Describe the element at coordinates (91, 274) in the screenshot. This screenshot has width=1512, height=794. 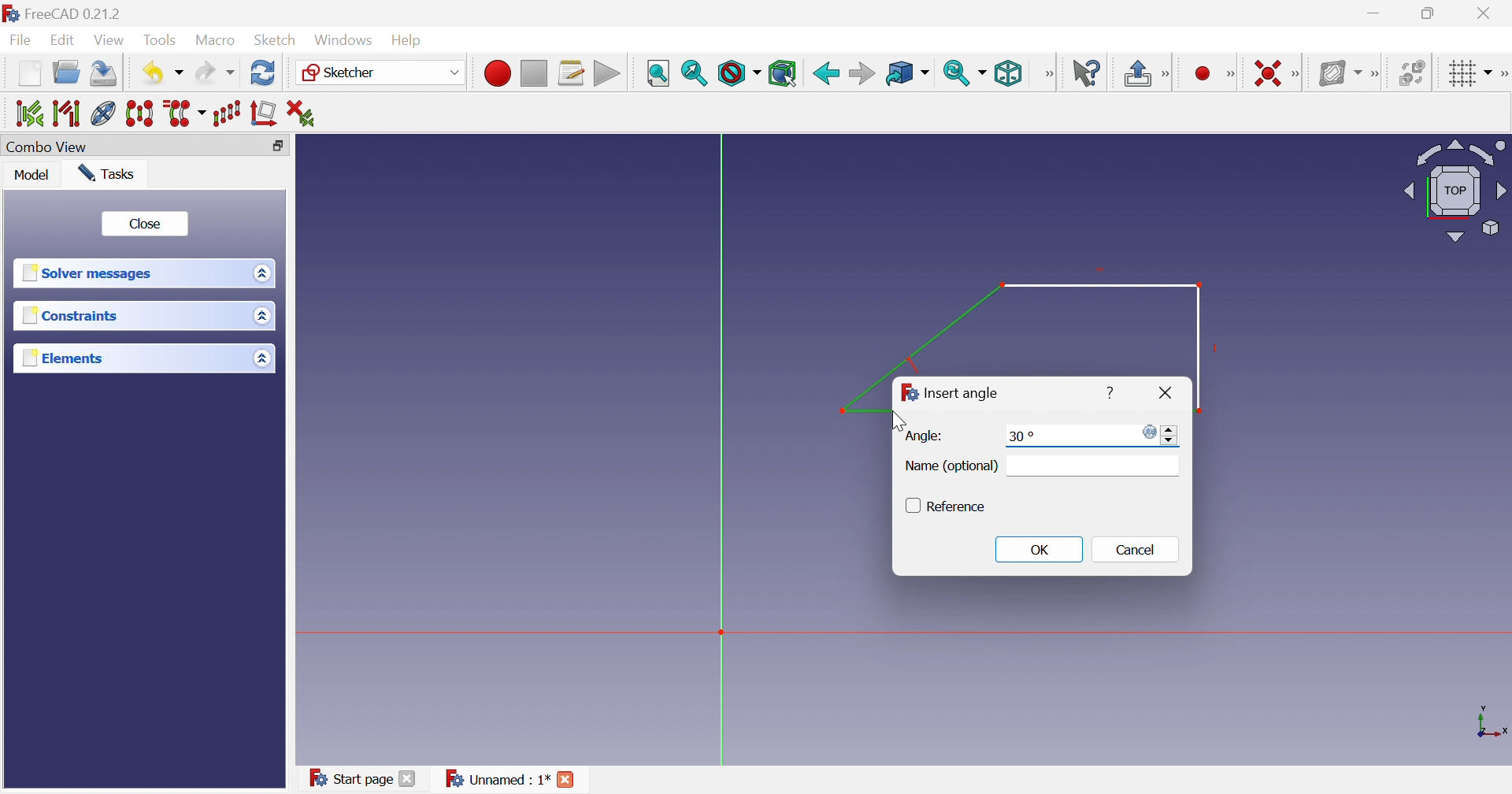
I see `Solver messages` at that location.